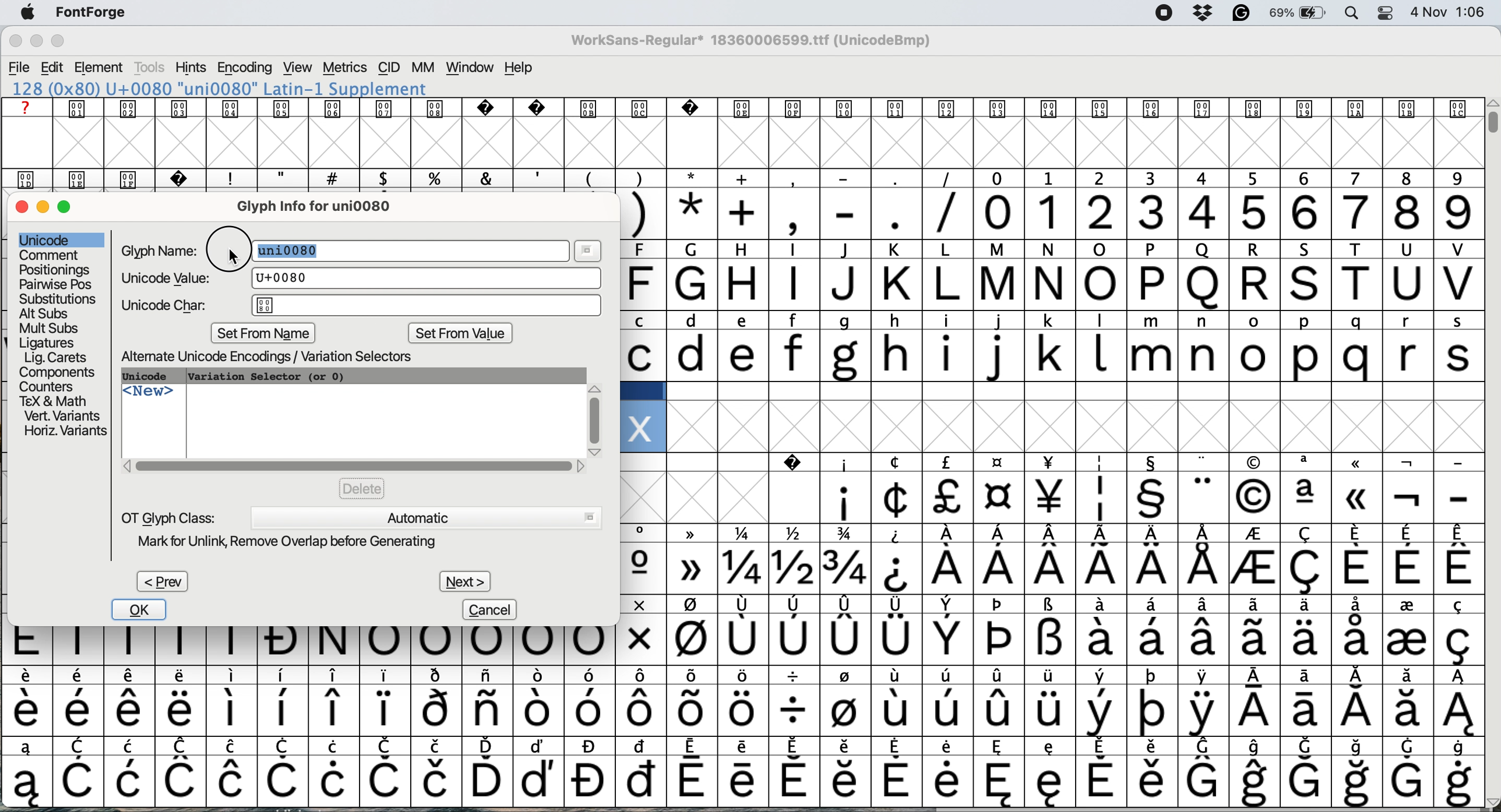 Image resolution: width=1501 pixels, height=812 pixels. I want to click on unicode, so click(47, 239).